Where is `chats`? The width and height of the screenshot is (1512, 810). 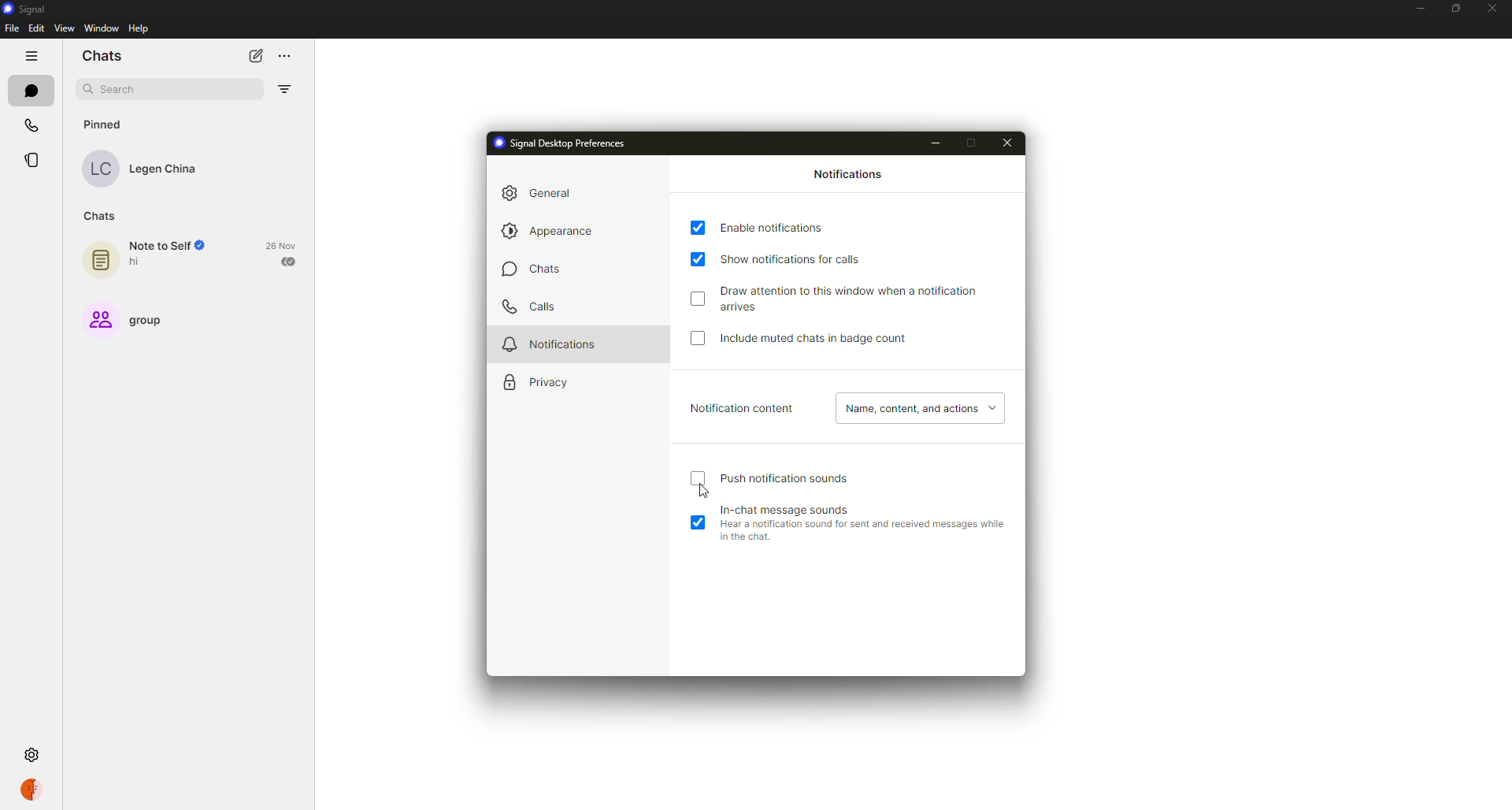
chats is located at coordinates (106, 55).